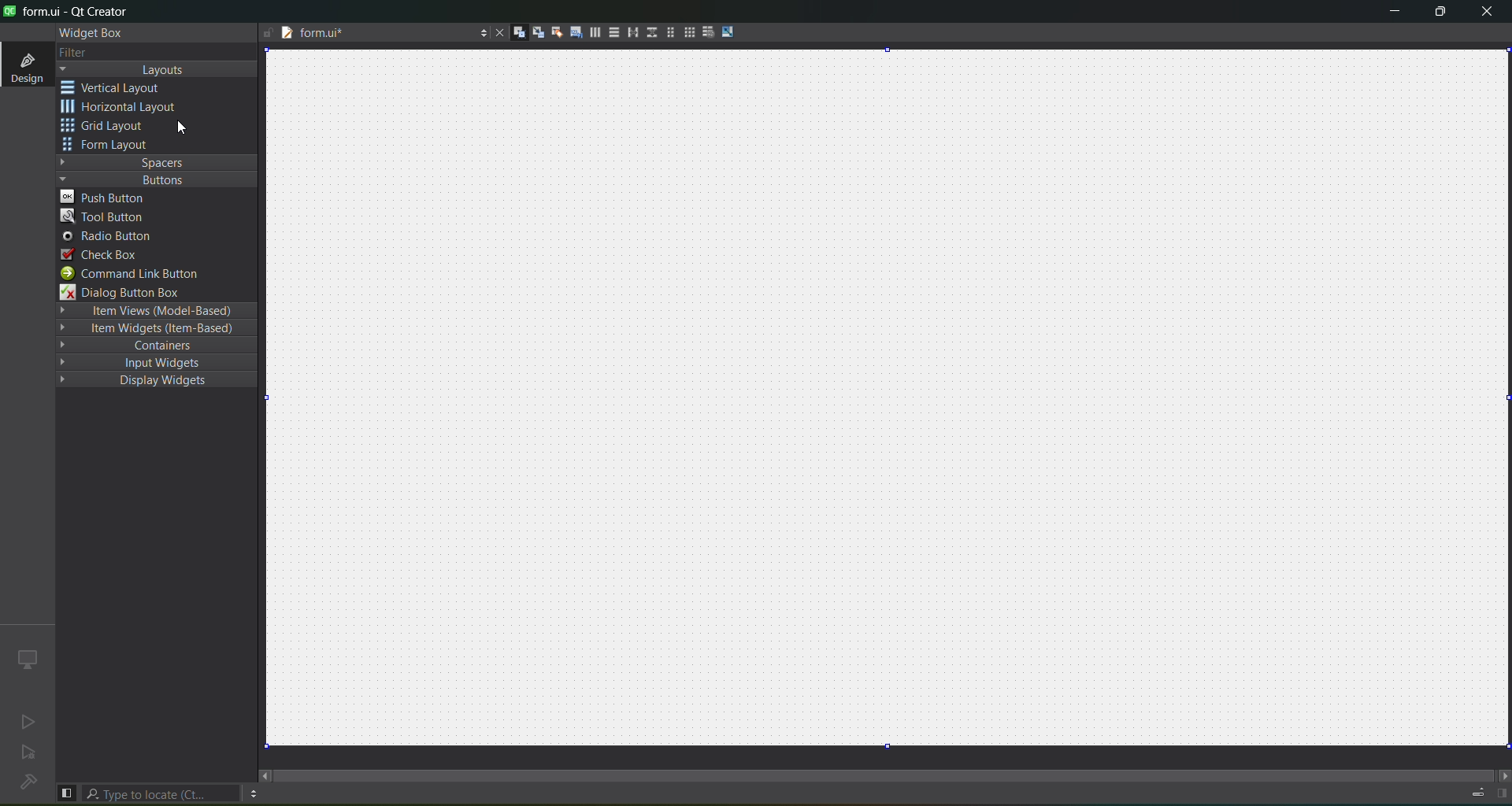  Describe the element at coordinates (885, 768) in the screenshot. I see `scroll bar` at that location.